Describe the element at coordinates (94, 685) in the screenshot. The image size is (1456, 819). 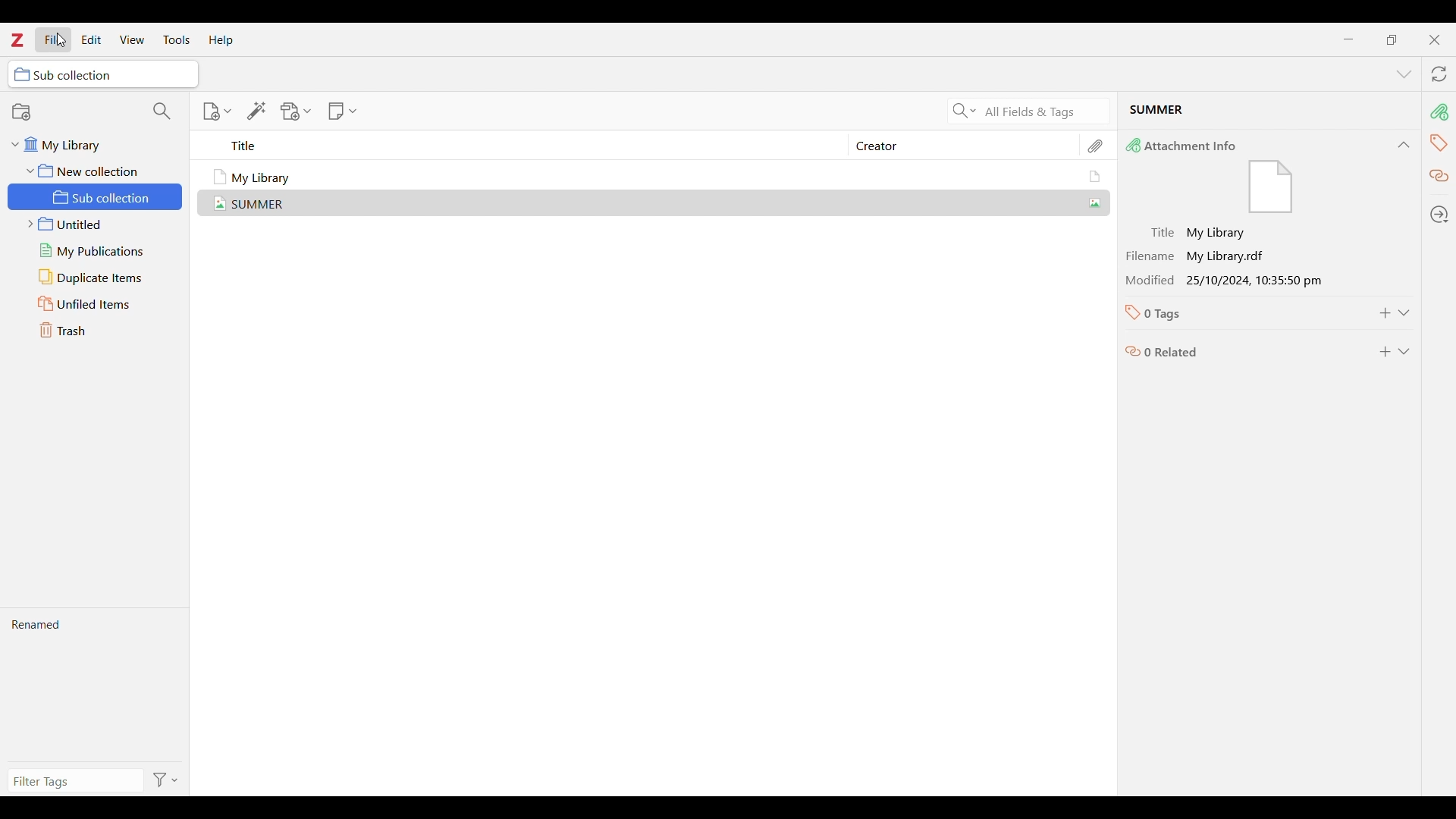
I see `Renamed` at that location.